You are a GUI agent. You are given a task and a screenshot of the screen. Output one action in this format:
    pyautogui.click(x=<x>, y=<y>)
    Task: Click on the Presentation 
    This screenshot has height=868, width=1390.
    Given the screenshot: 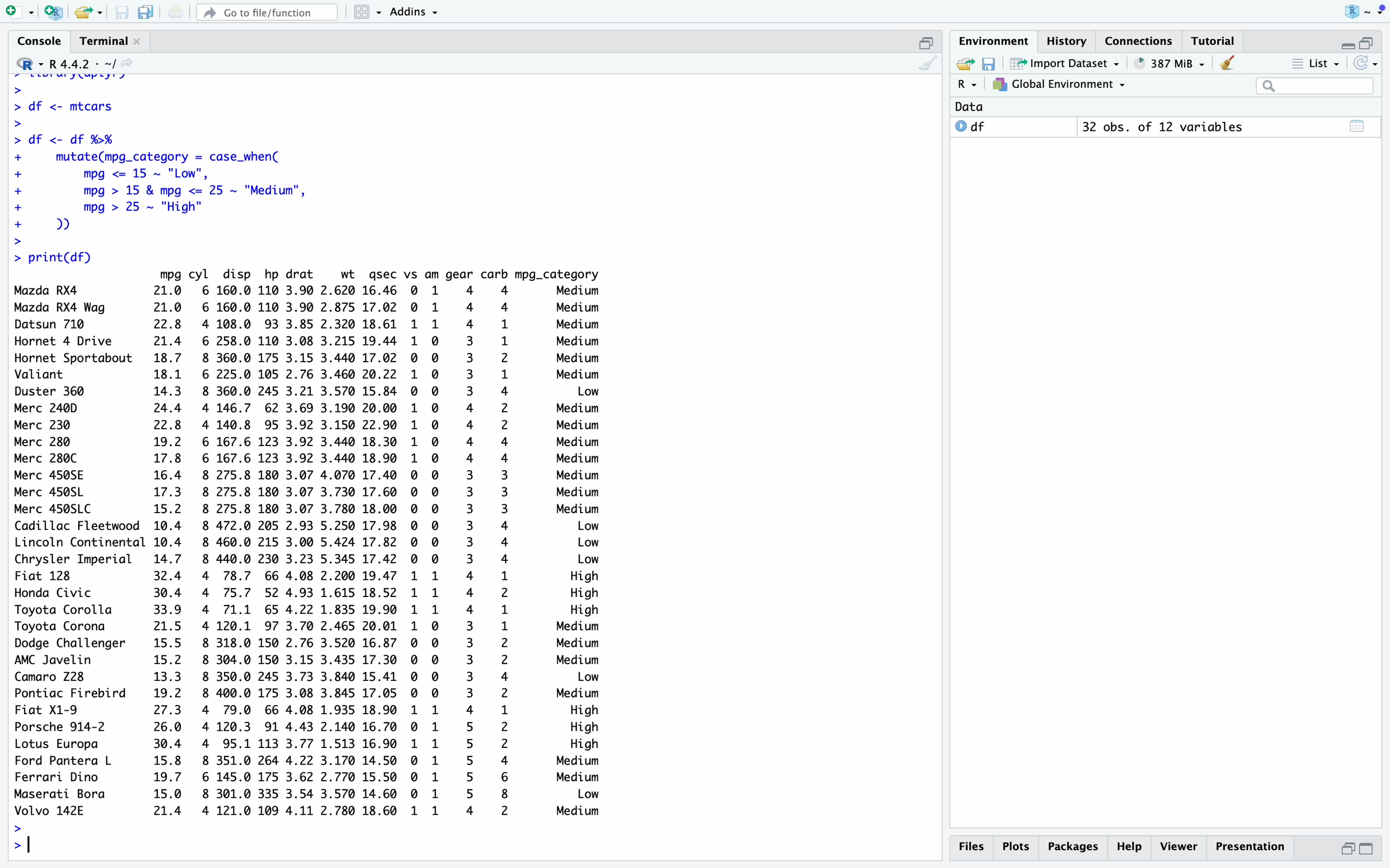 What is the action you would take?
    pyautogui.click(x=1252, y=847)
    